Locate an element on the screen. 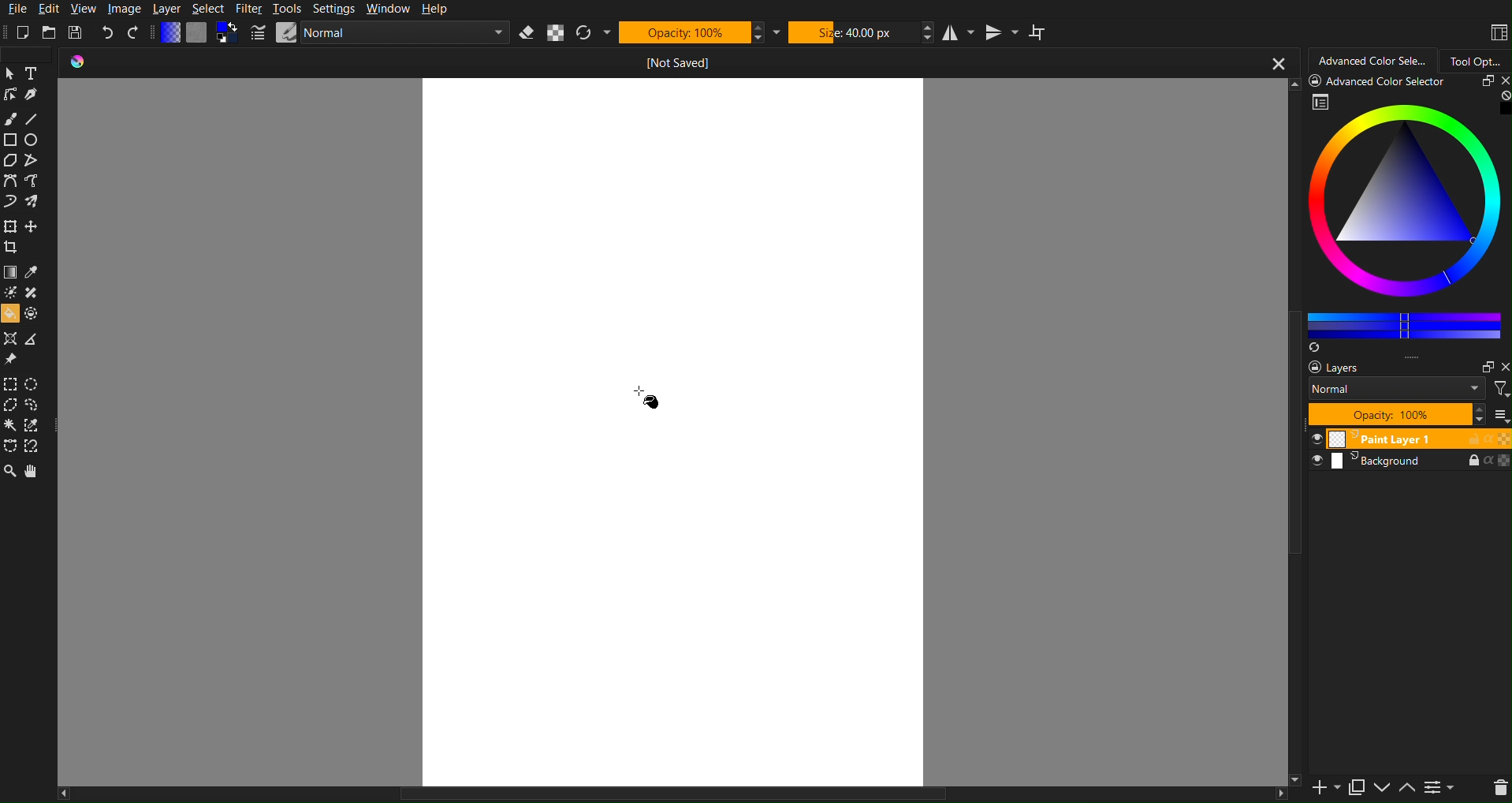 The height and width of the screenshot is (803, 1512). close is located at coordinates (1503, 364).